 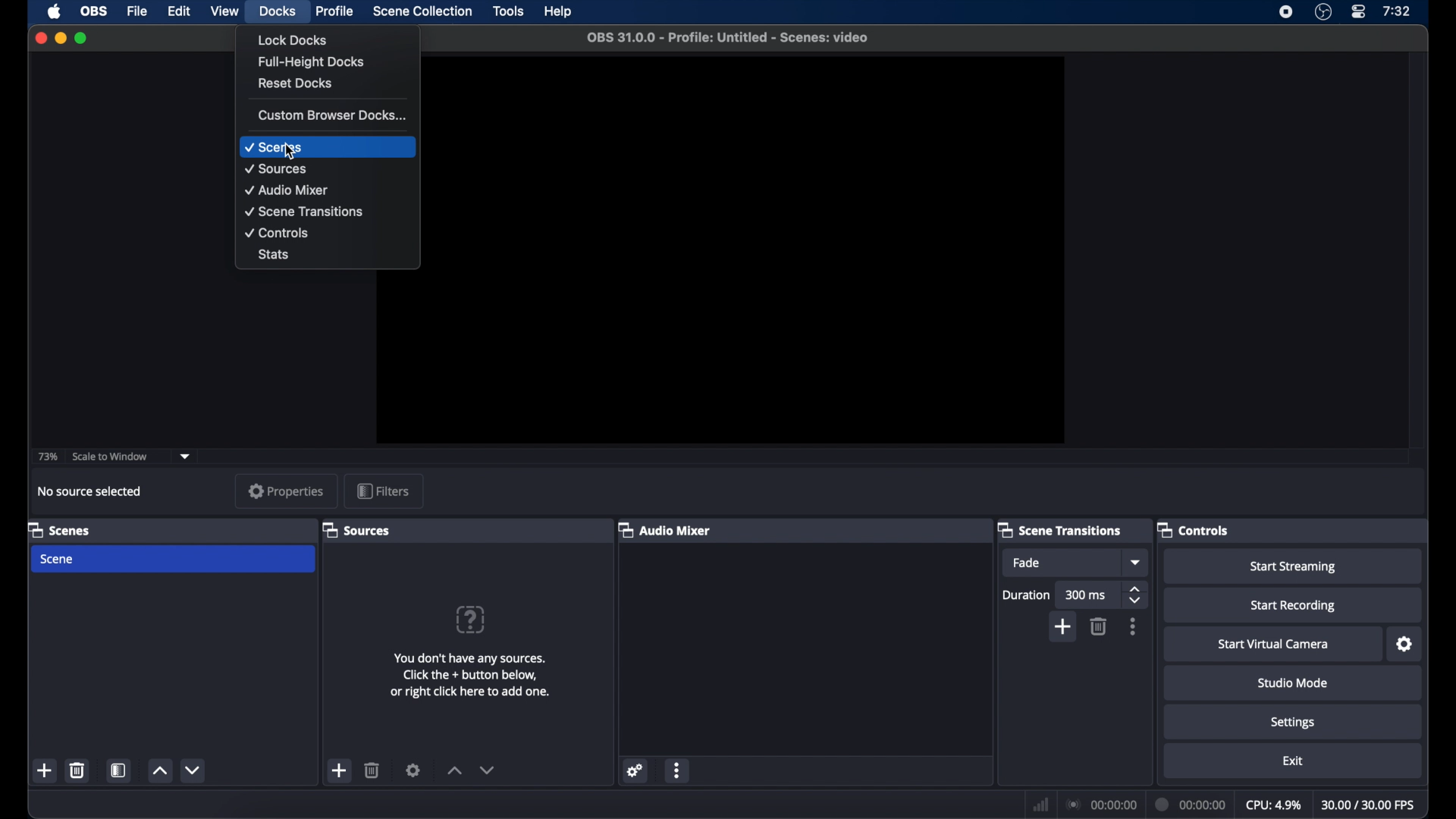 I want to click on duration, so click(x=1025, y=595).